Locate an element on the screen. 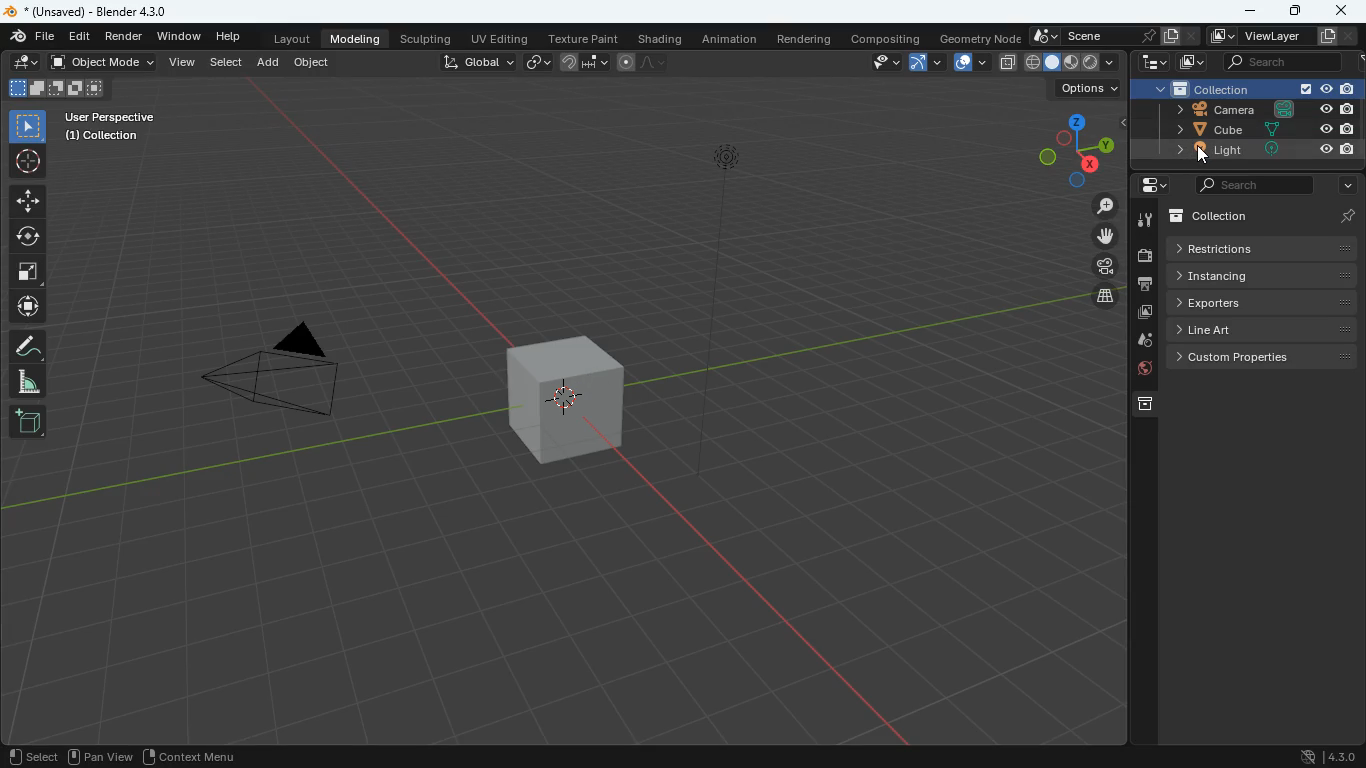 This screenshot has width=1366, height=768. pan view is located at coordinates (102, 756).